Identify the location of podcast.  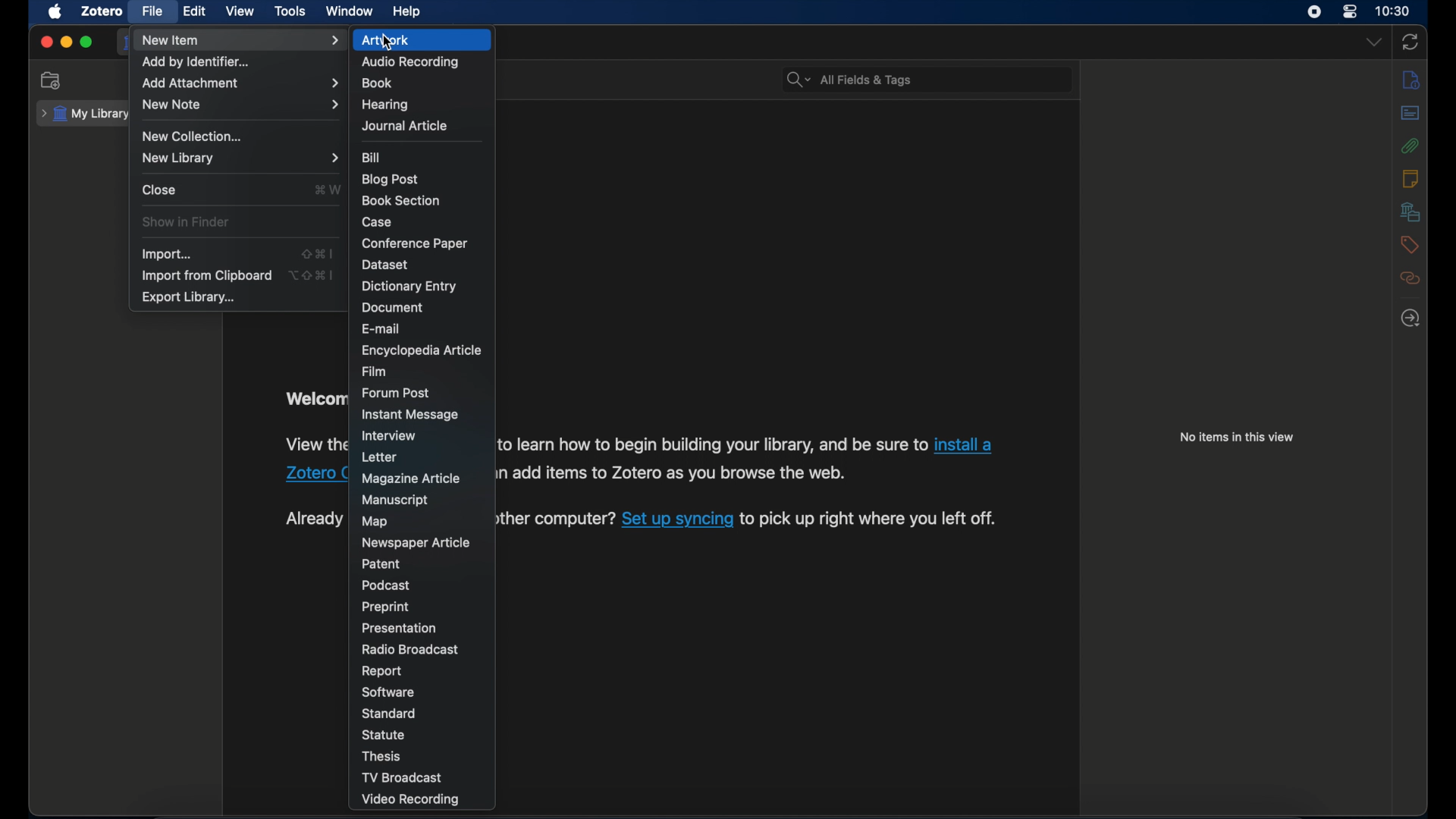
(387, 585).